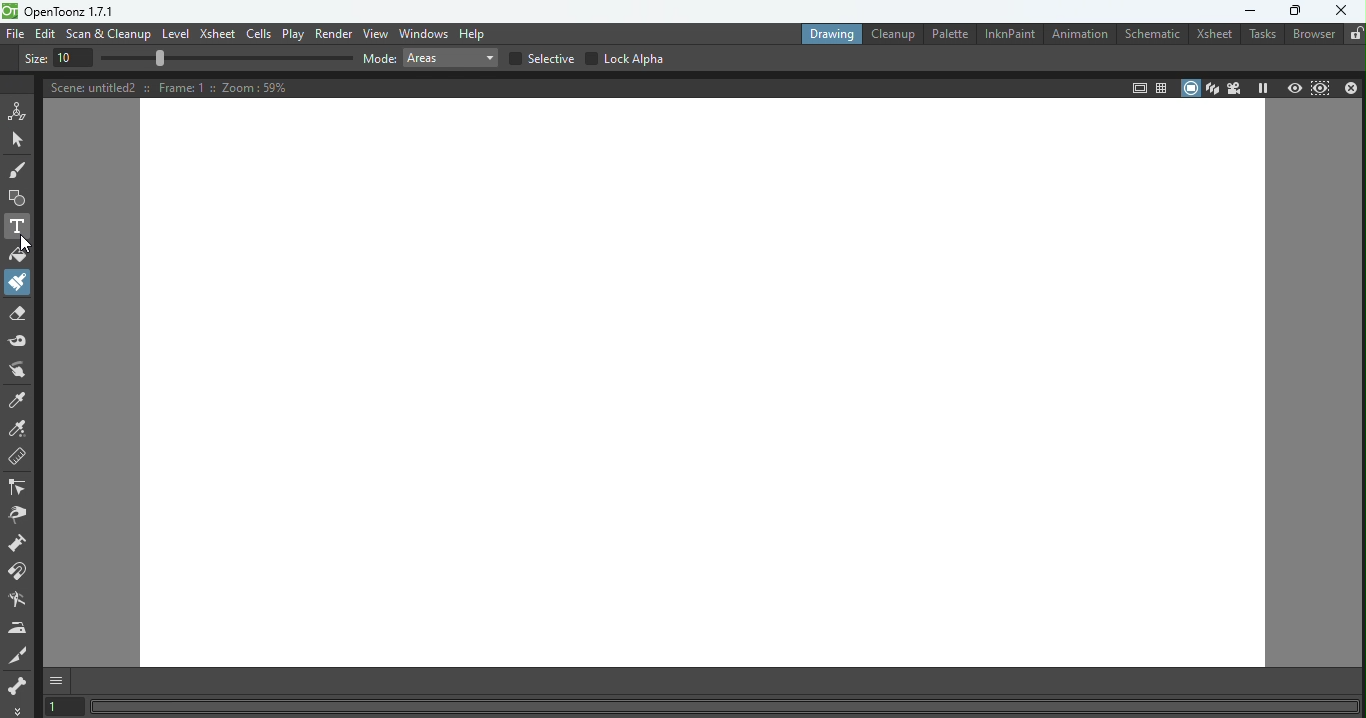 The height and width of the screenshot is (718, 1366). I want to click on View, so click(377, 34).